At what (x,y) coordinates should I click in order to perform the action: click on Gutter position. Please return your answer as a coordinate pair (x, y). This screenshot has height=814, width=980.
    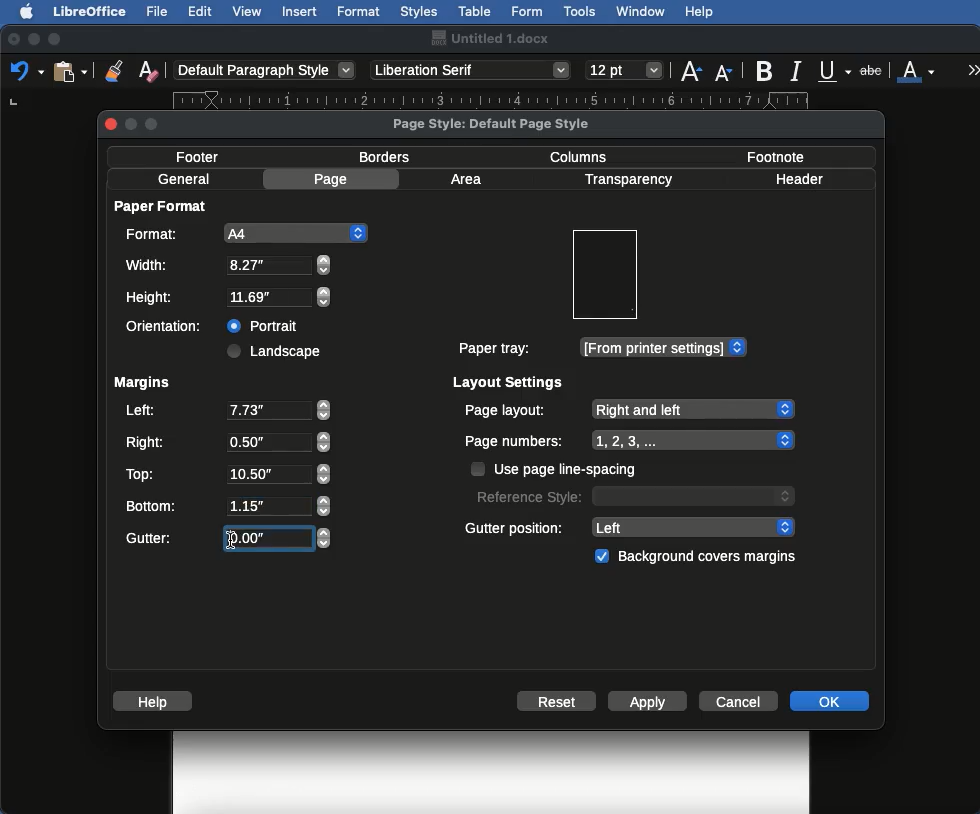
    Looking at the image, I should click on (631, 526).